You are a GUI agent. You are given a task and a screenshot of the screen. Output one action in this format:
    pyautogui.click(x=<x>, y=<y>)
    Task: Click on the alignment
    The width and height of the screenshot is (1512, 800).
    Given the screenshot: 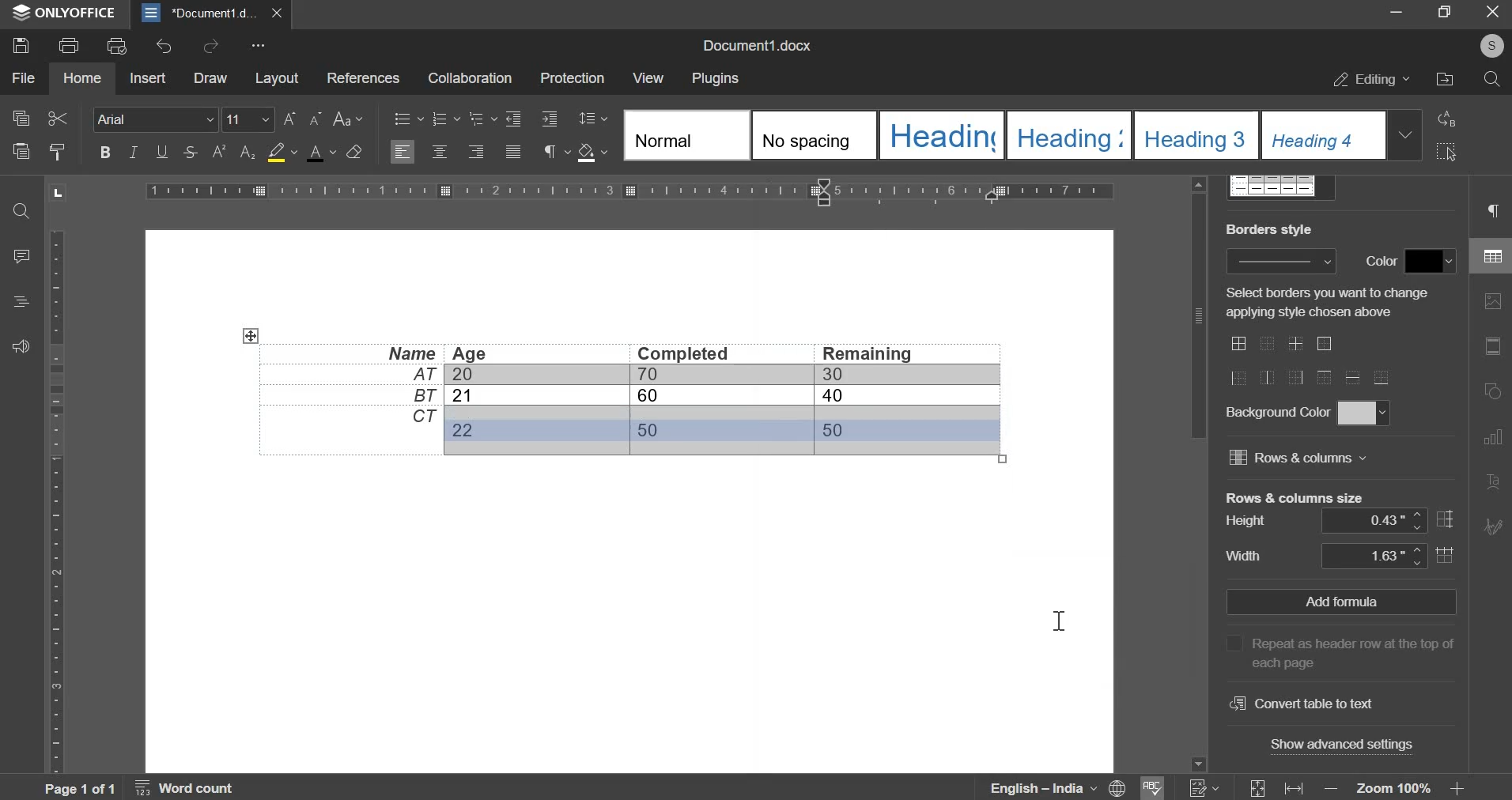 What is the action you would take?
    pyautogui.click(x=22, y=304)
    